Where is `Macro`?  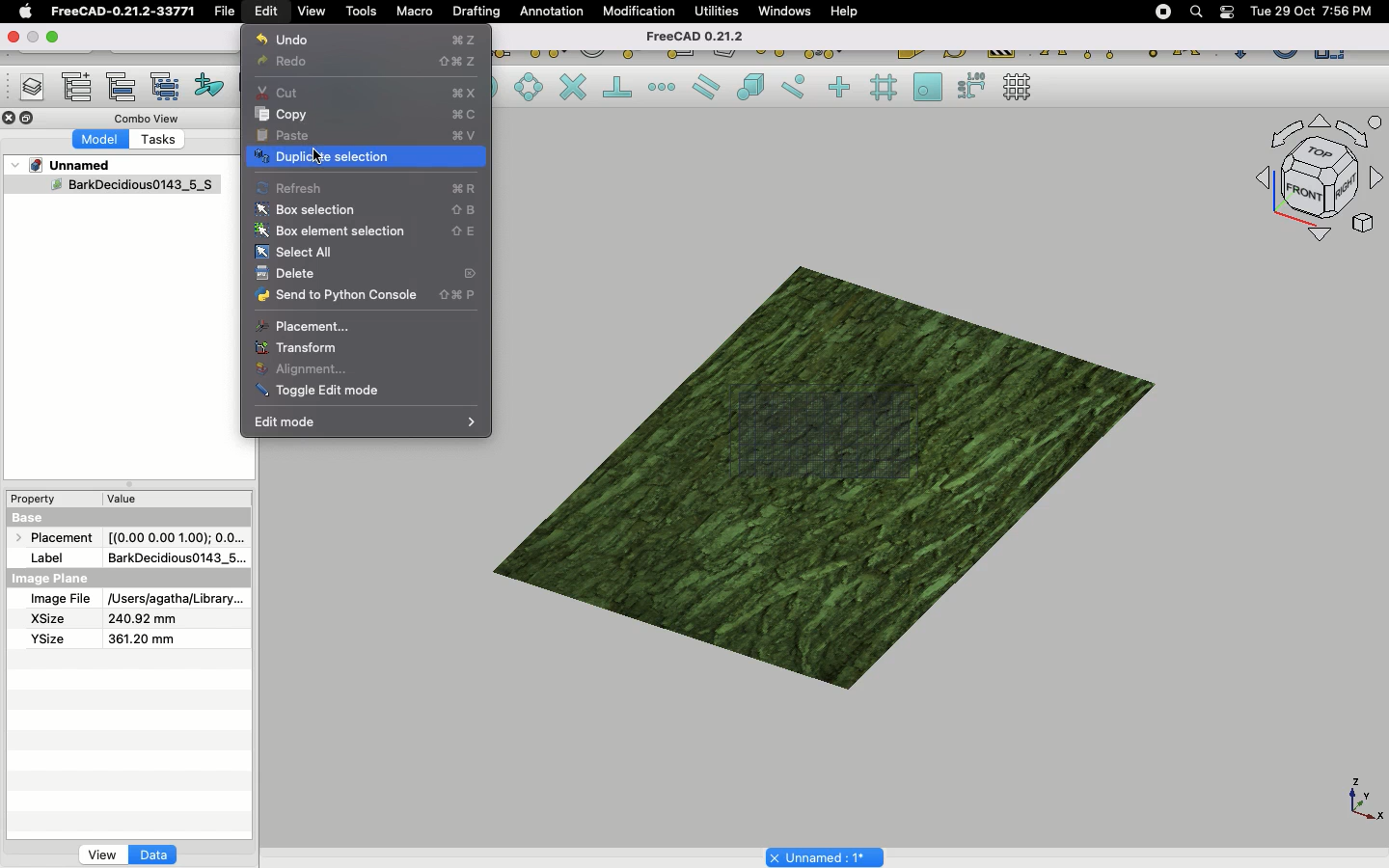 Macro is located at coordinates (416, 12).